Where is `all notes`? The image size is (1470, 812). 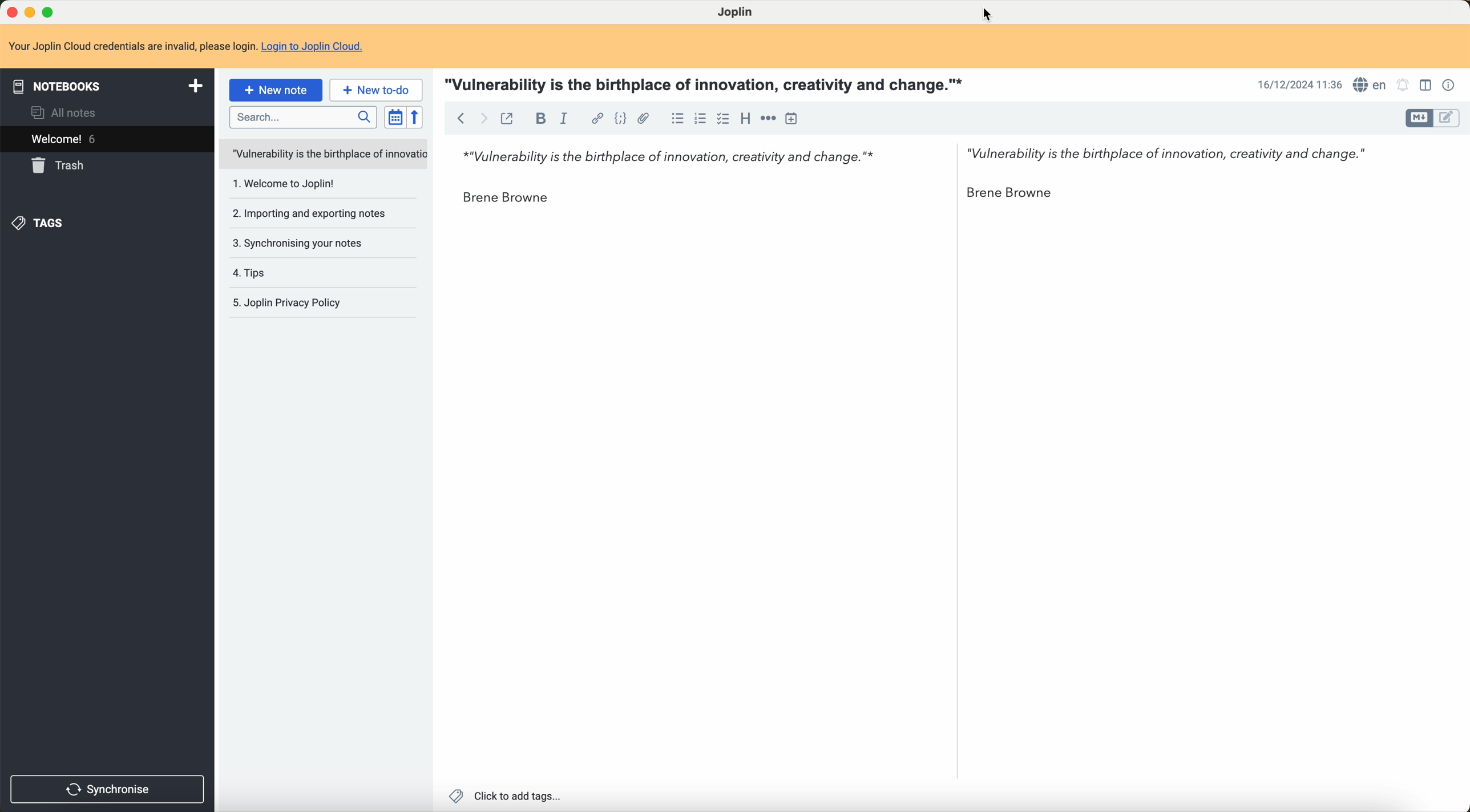 all notes is located at coordinates (68, 112).